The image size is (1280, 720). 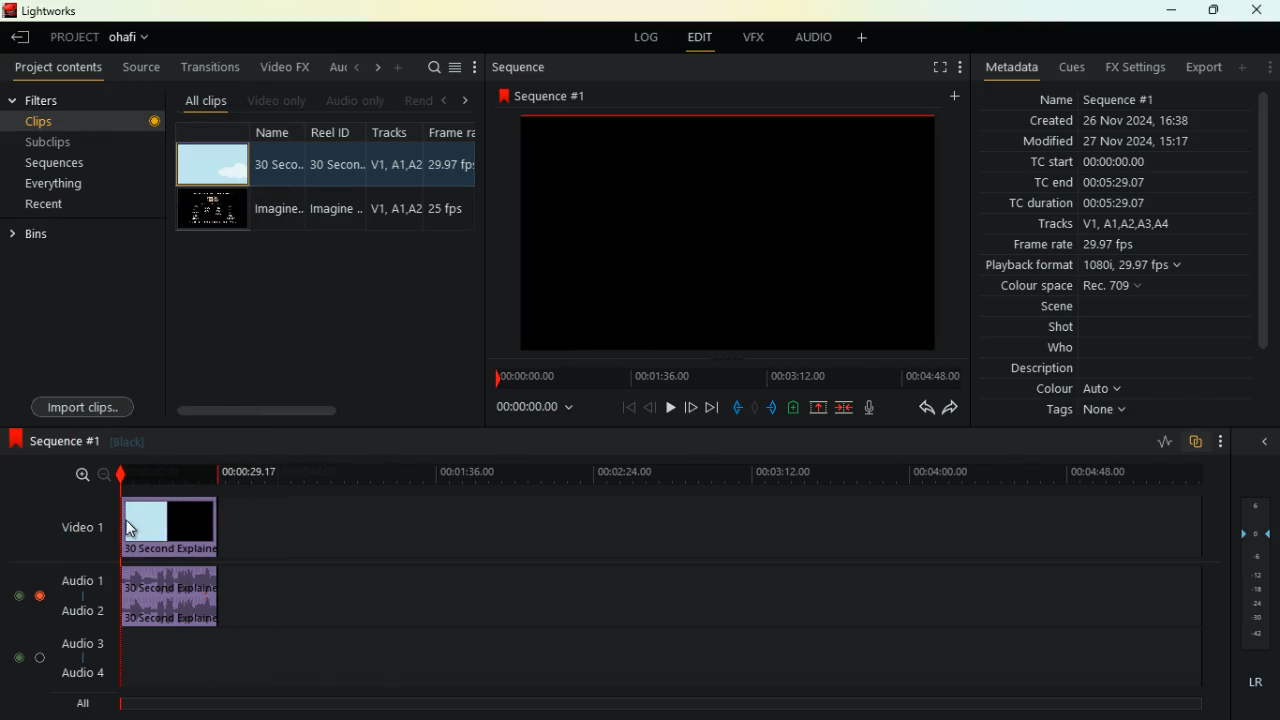 I want to click on forward, so click(x=954, y=407).